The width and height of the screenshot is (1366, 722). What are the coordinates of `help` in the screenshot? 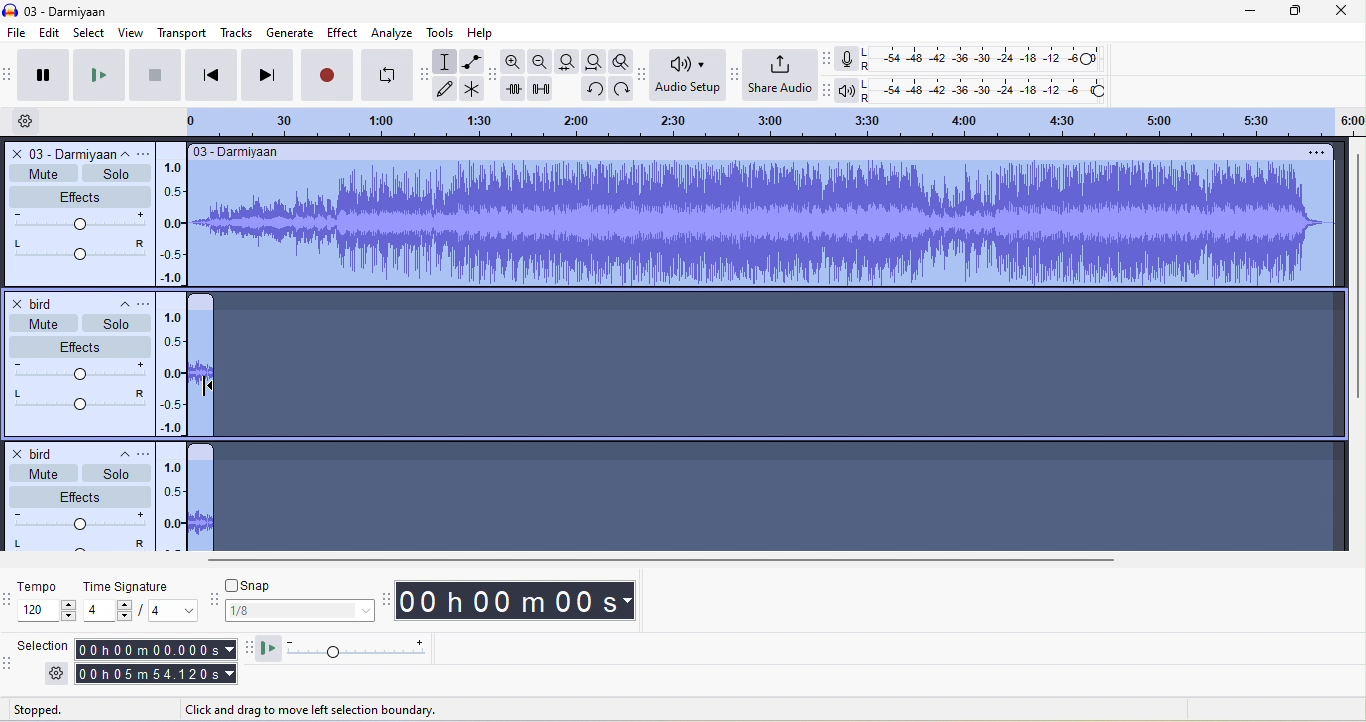 It's located at (486, 31).